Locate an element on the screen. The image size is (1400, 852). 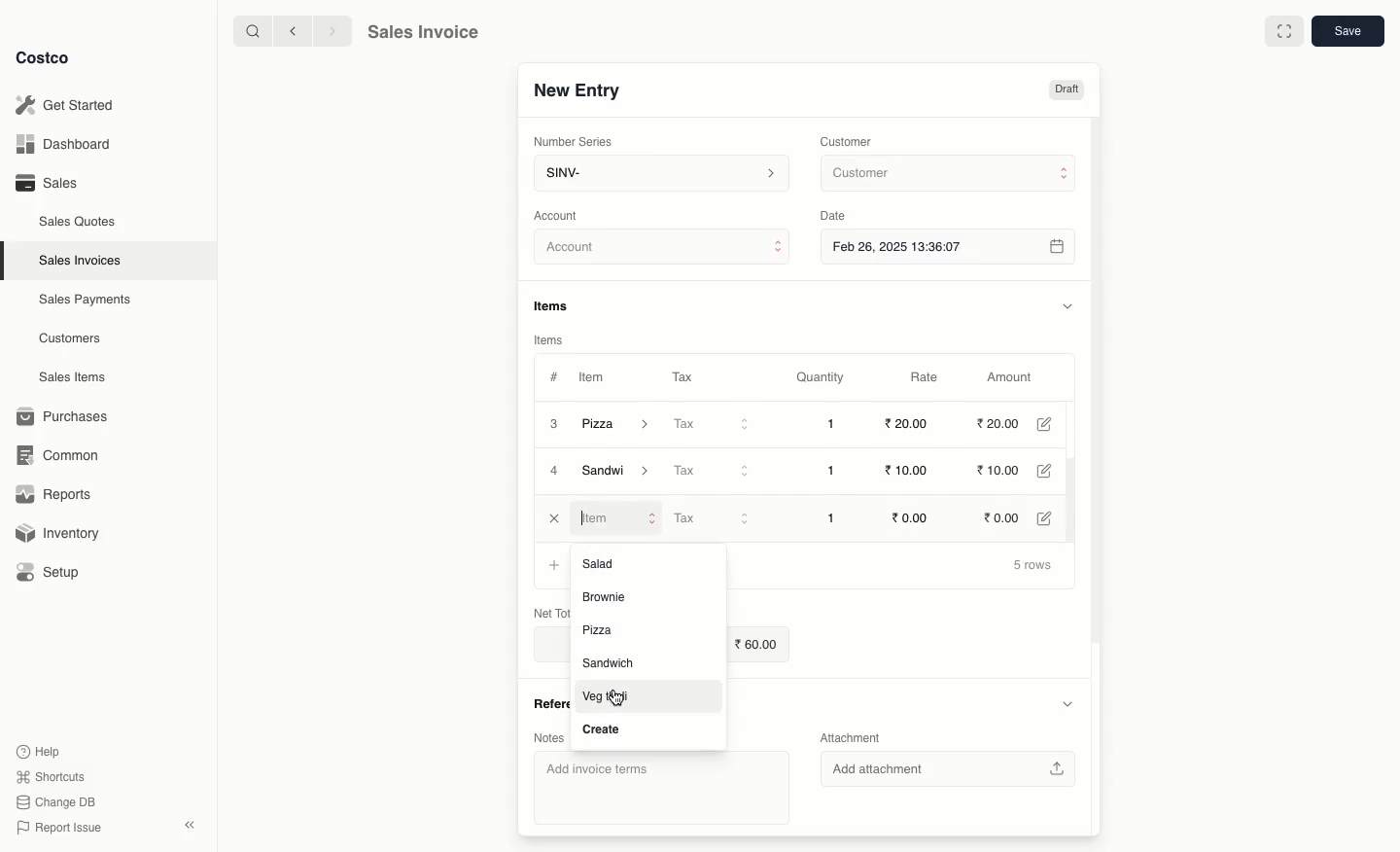
Salad is located at coordinates (608, 562).